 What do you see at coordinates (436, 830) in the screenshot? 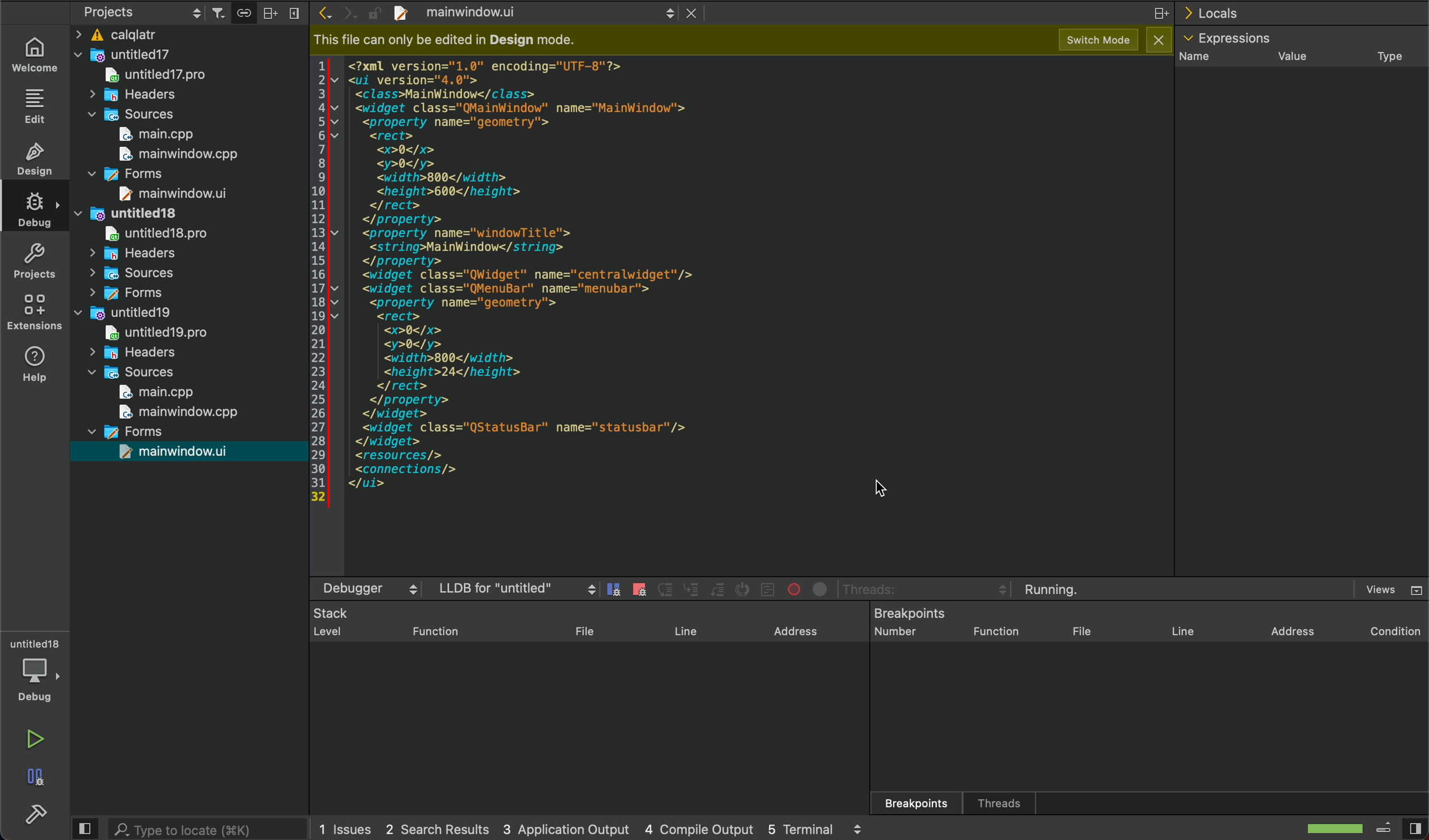
I see `2 search result` at bounding box center [436, 830].